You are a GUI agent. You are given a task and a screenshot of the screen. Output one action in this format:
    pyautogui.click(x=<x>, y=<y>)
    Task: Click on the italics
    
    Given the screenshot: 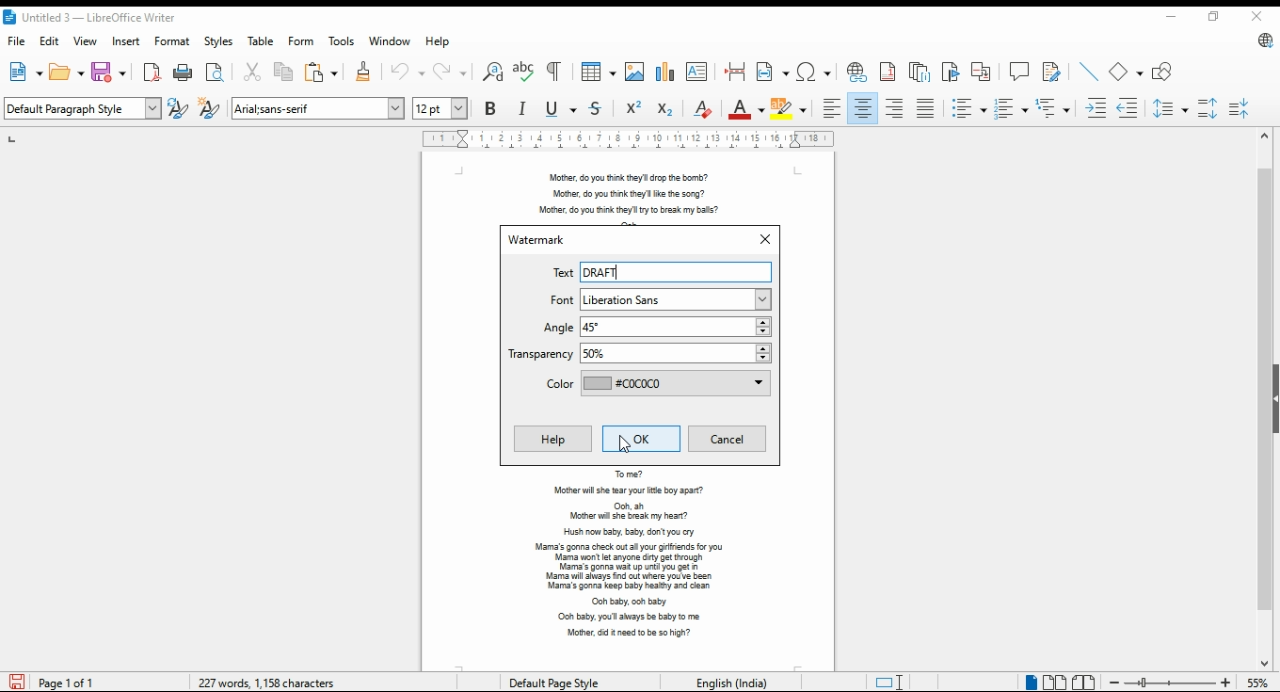 What is the action you would take?
    pyautogui.click(x=523, y=108)
    